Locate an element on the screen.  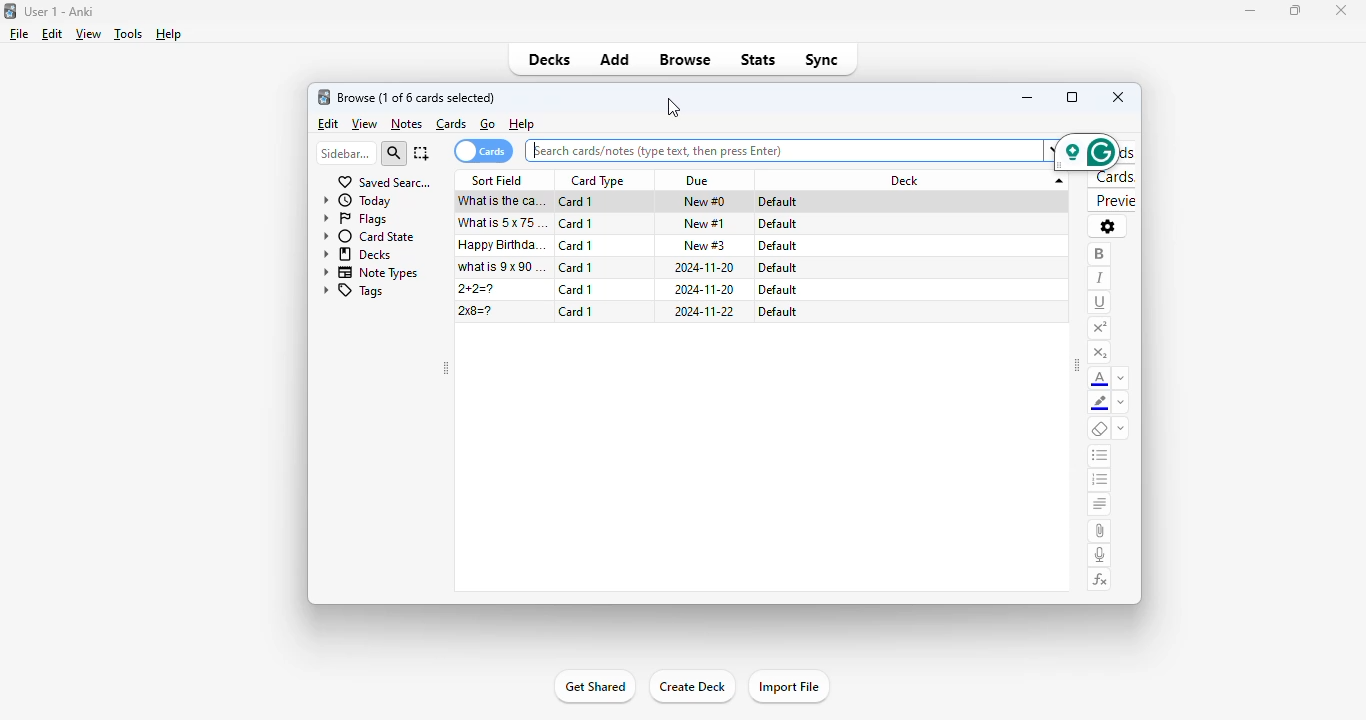
card state is located at coordinates (371, 236).